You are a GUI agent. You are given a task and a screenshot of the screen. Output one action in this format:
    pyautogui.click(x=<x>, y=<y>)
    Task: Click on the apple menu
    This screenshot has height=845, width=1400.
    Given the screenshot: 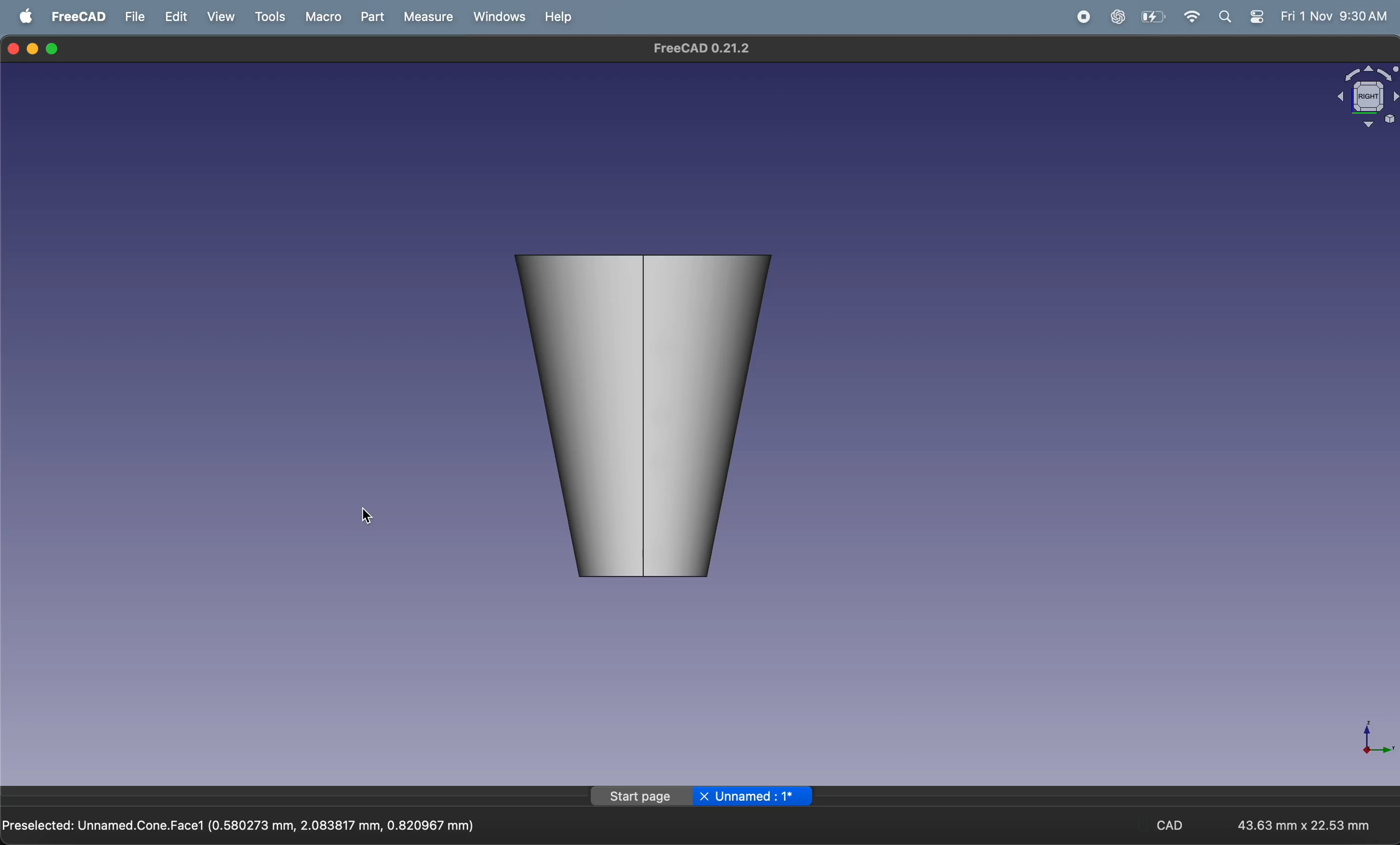 What is the action you would take?
    pyautogui.click(x=27, y=16)
    